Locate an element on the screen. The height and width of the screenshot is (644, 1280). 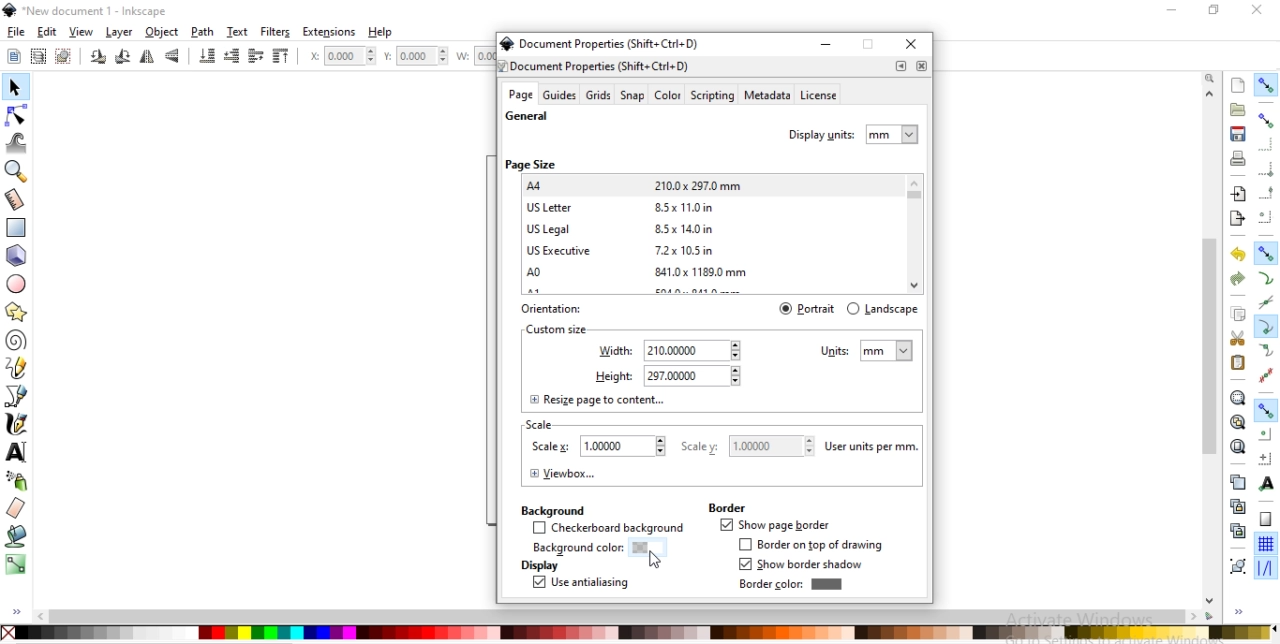
checkerboard background is located at coordinates (609, 529).